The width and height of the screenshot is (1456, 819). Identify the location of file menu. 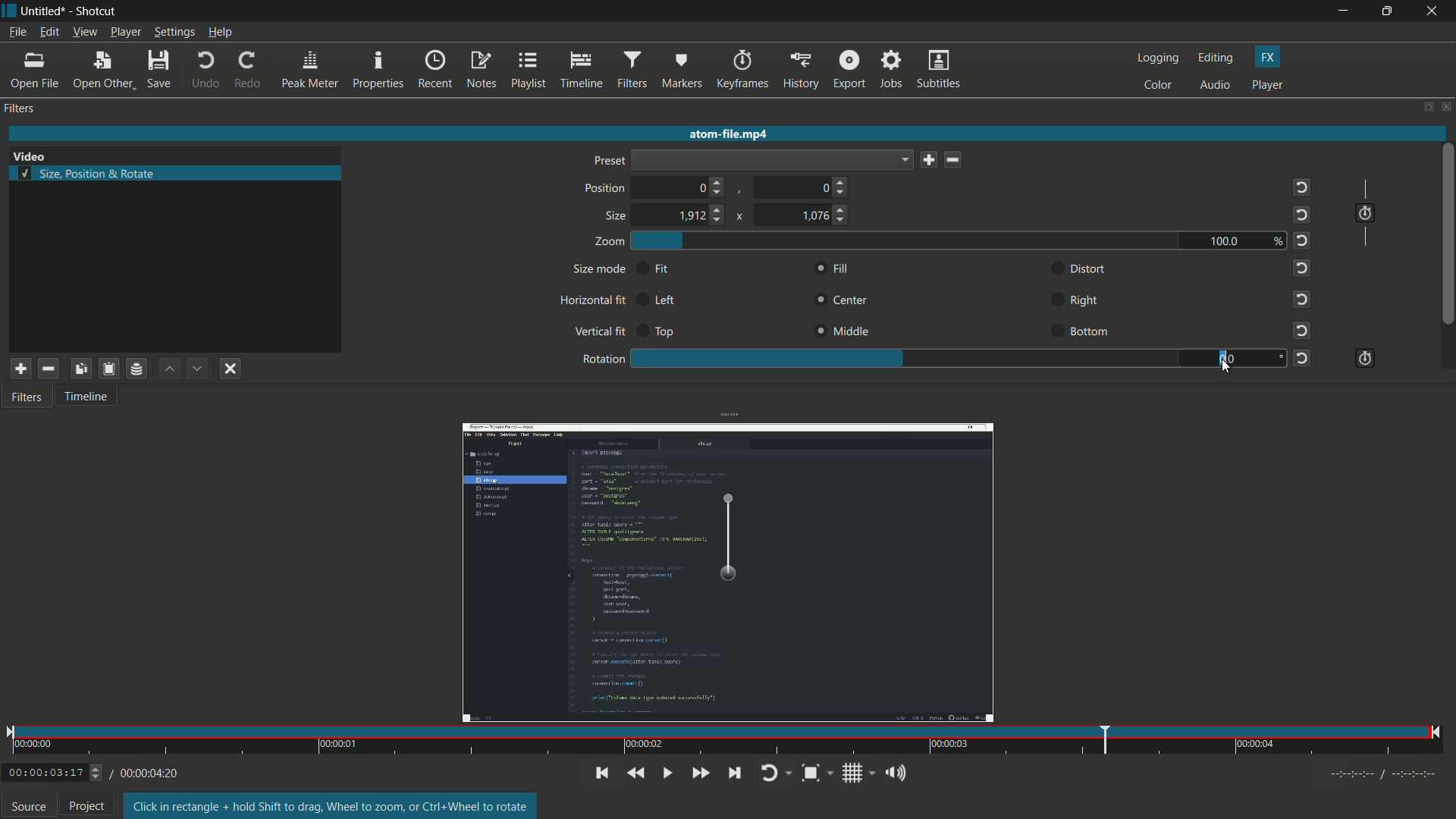
(19, 33).